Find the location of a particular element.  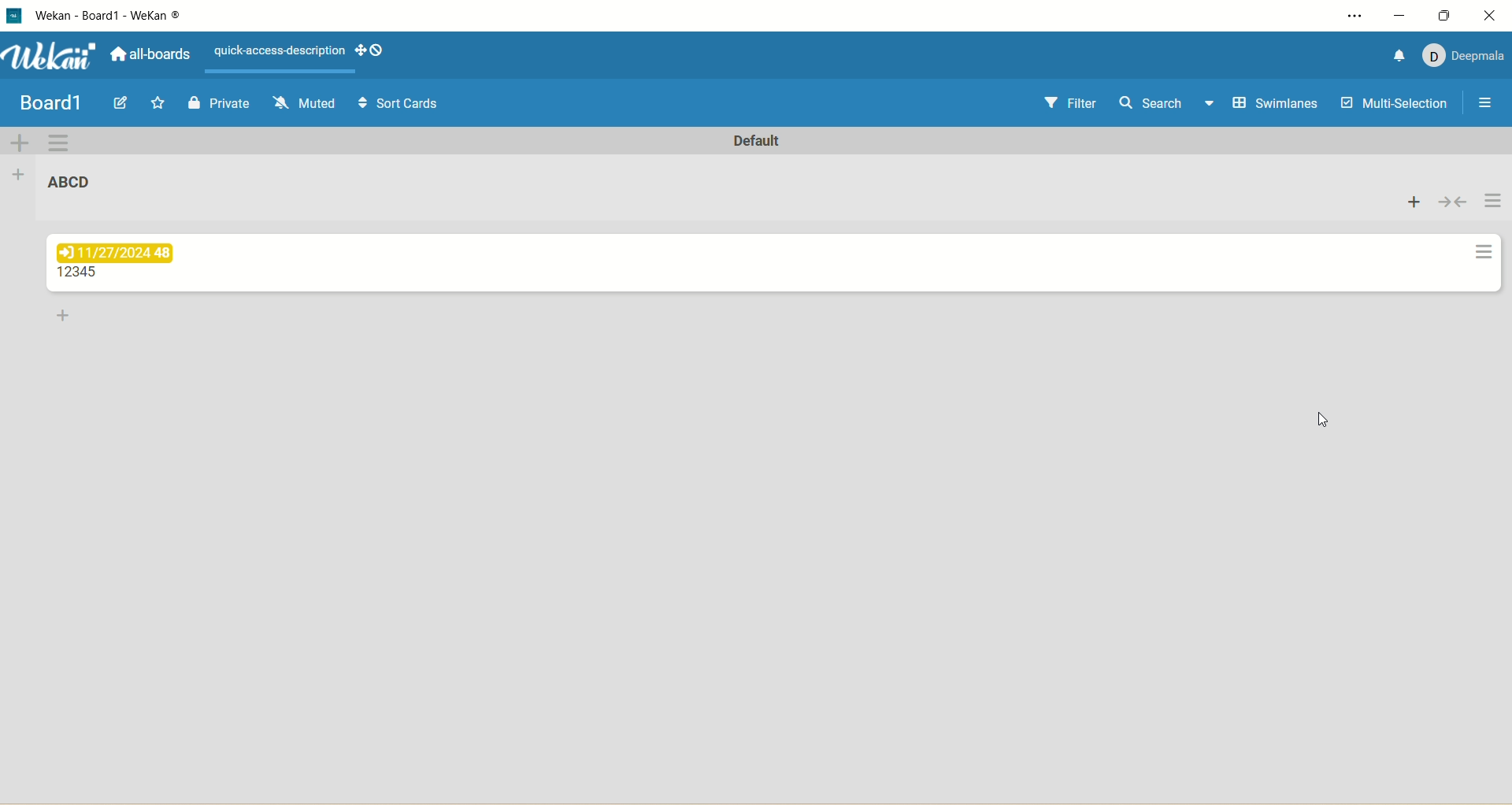

actions is located at coordinates (1490, 228).